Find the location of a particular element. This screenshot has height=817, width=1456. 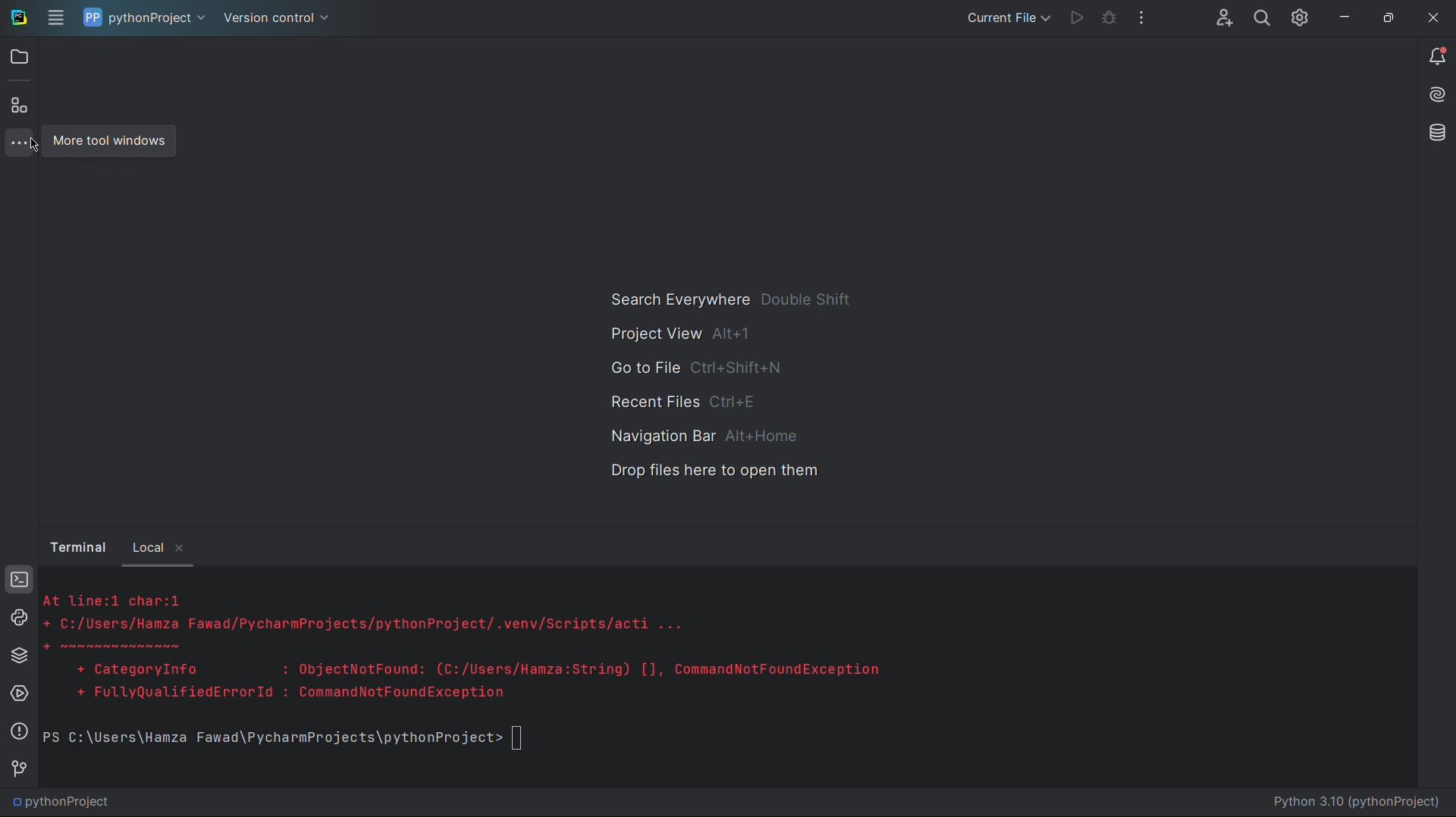

Current File is located at coordinates (1005, 14).